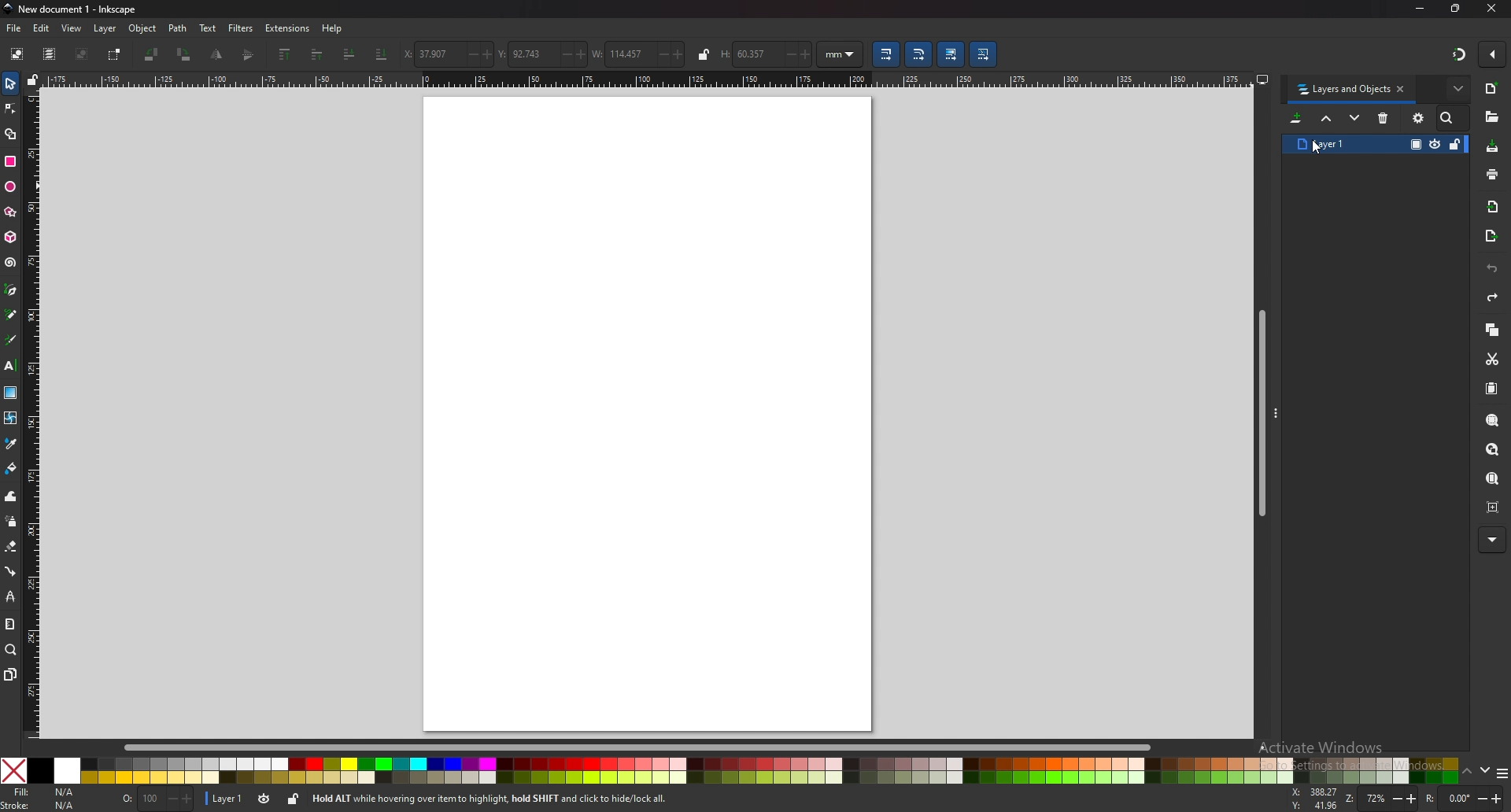 The width and height of the screenshot is (1511, 812). What do you see at coordinates (1492, 388) in the screenshot?
I see `paste` at bounding box center [1492, 388].